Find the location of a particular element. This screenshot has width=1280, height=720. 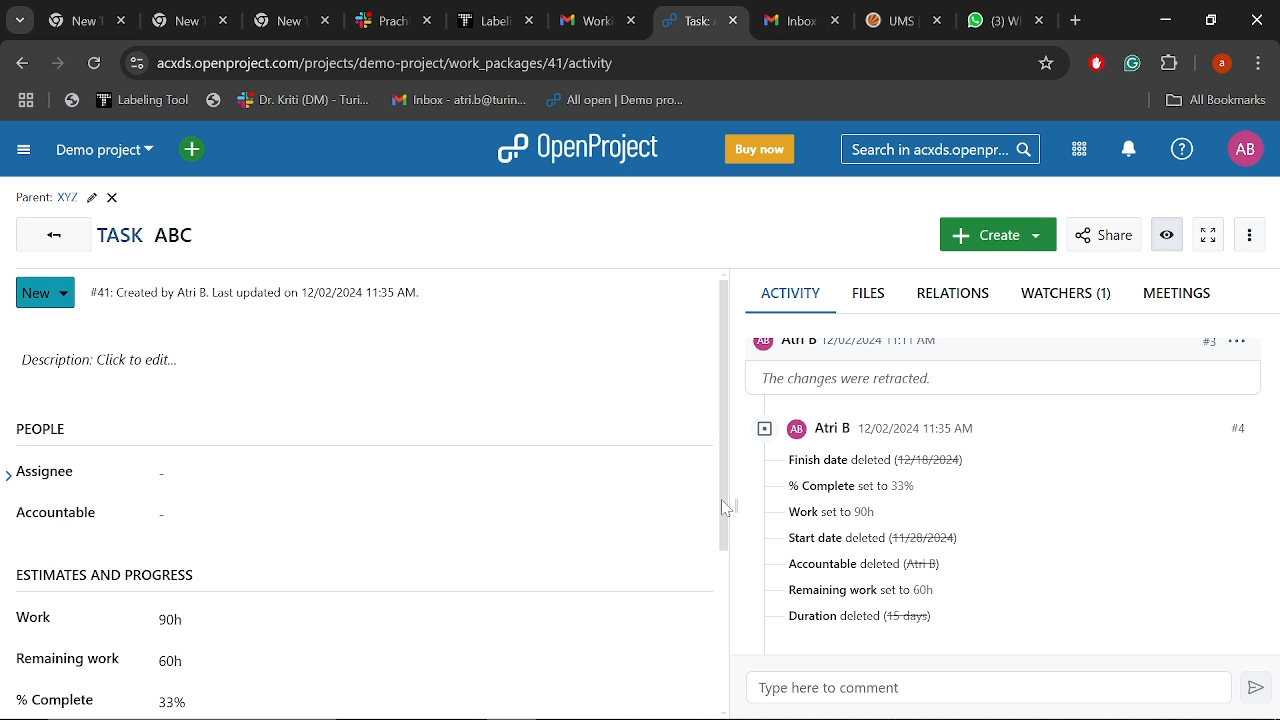

More is located at coordinates (1248, 233).